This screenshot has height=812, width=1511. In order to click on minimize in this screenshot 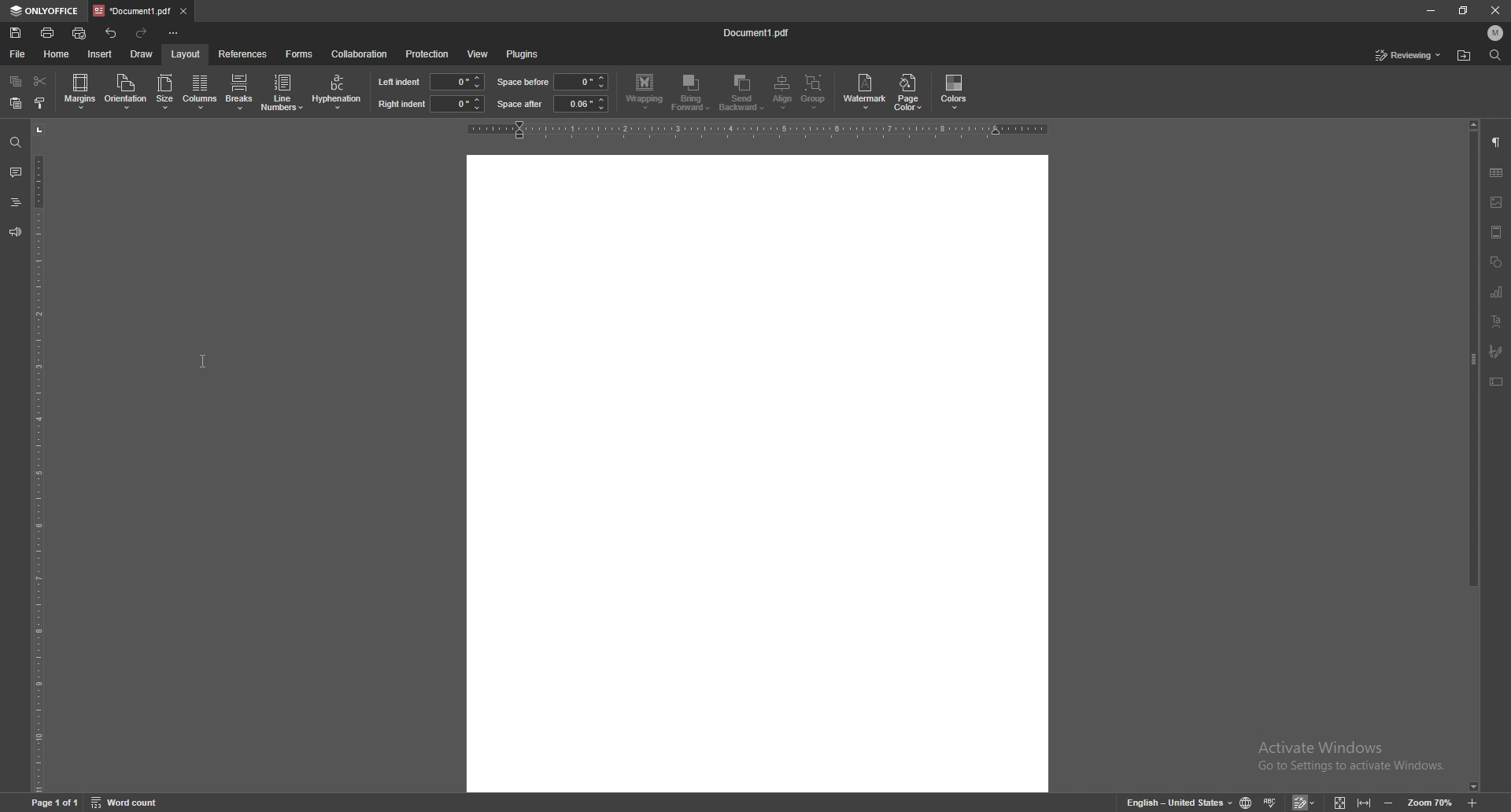, I will do `click(1430, 10)`.